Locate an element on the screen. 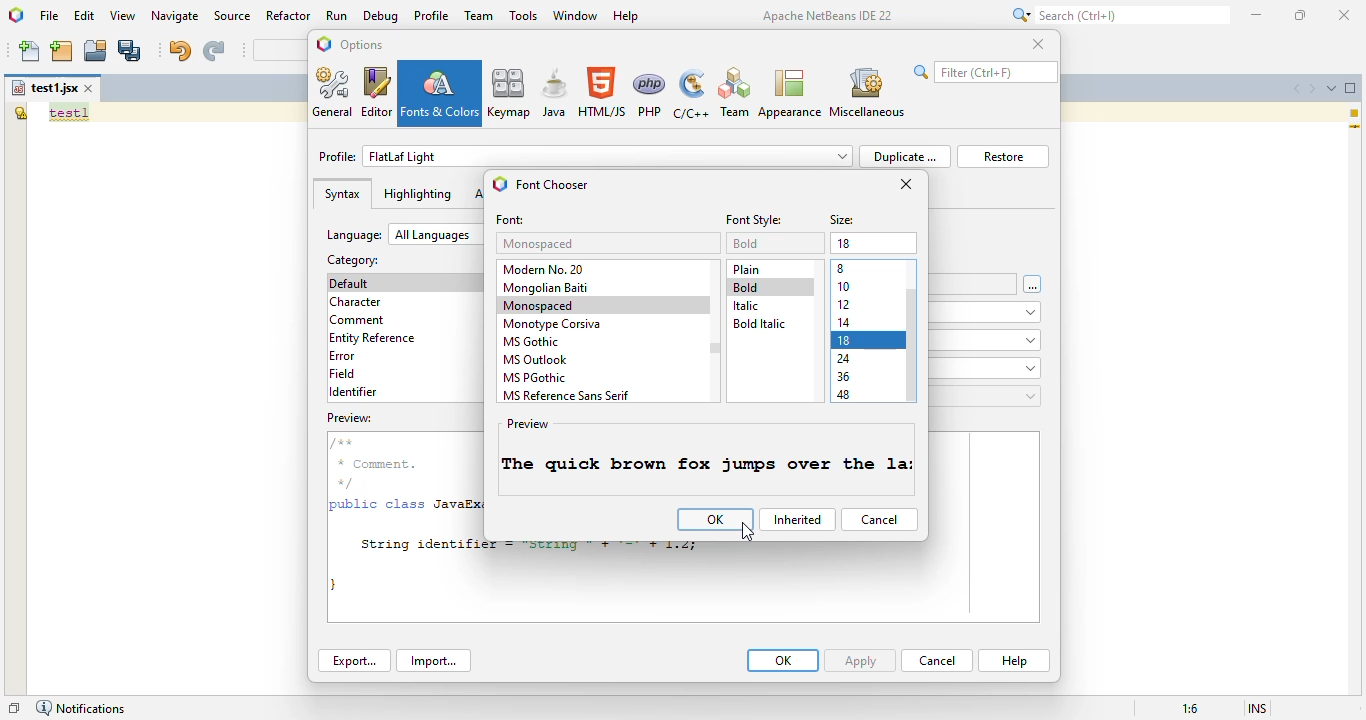 The width and height of the screenshot is (1366, 720). identifier is located at coordinates (353, 392).